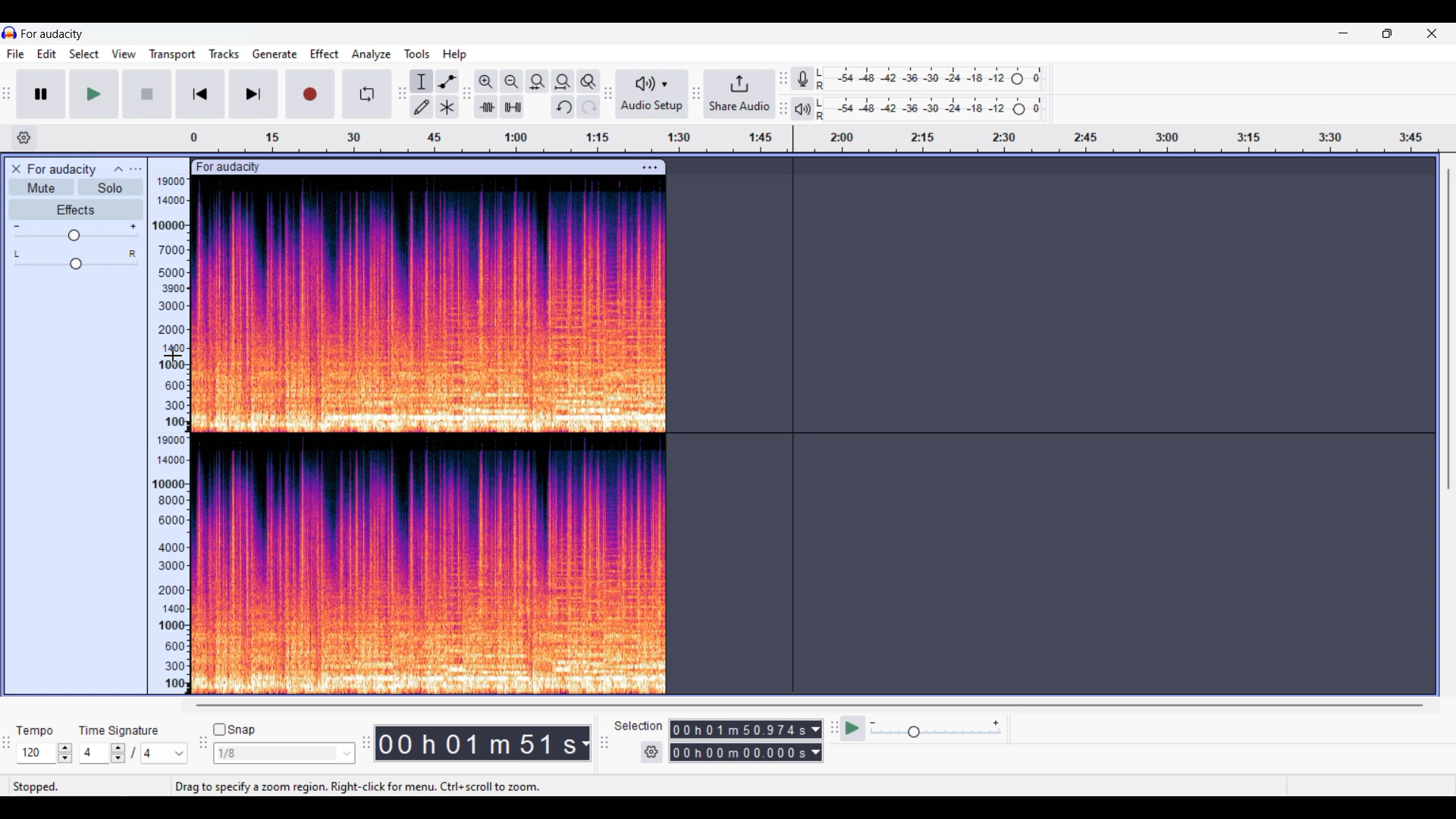  What do you see at coordinates (119, 168) in the screenshot?
I see `Collpase` at bounding box center [119, 168].